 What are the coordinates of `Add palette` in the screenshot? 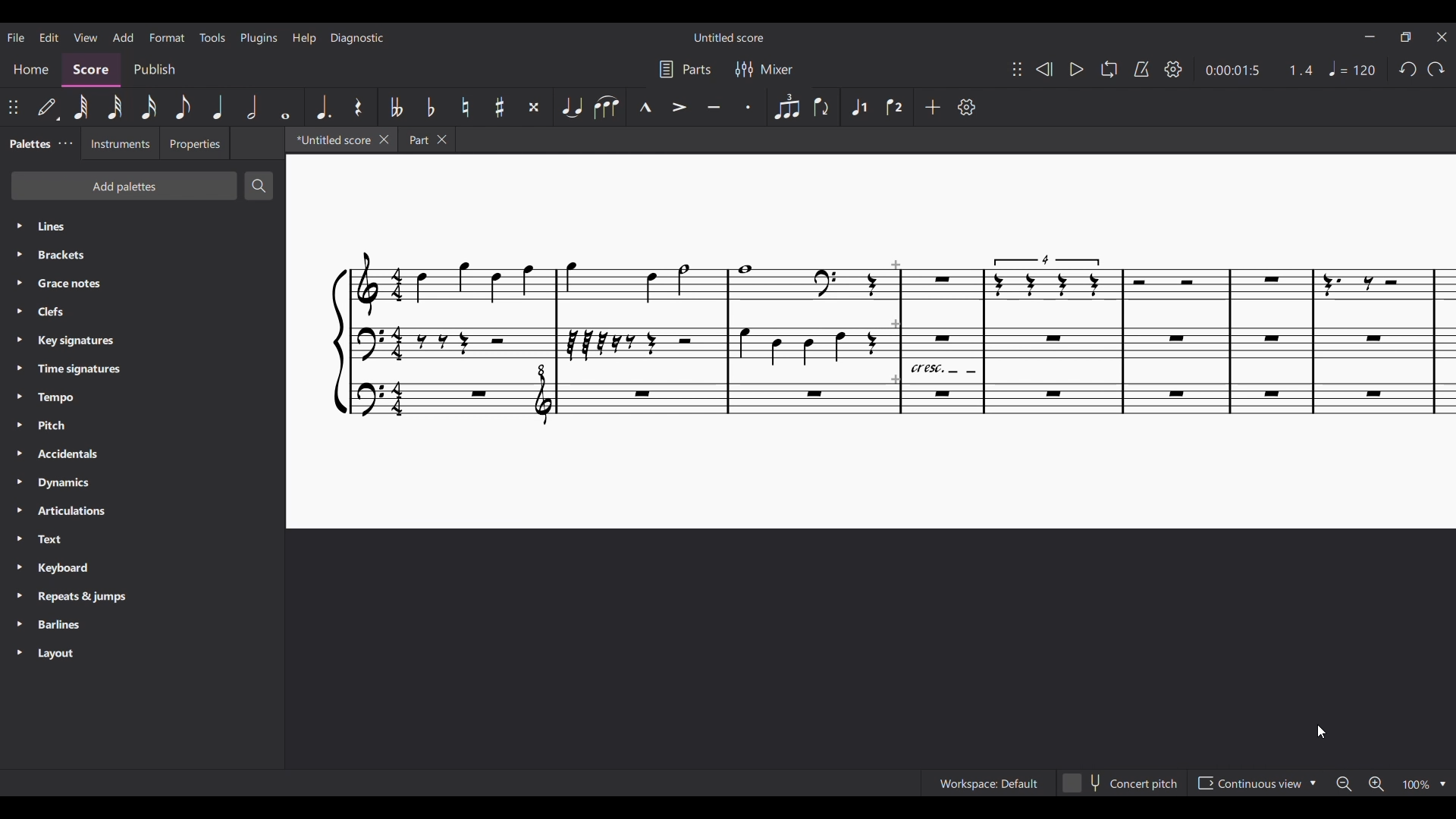 It's located at (124, 186).